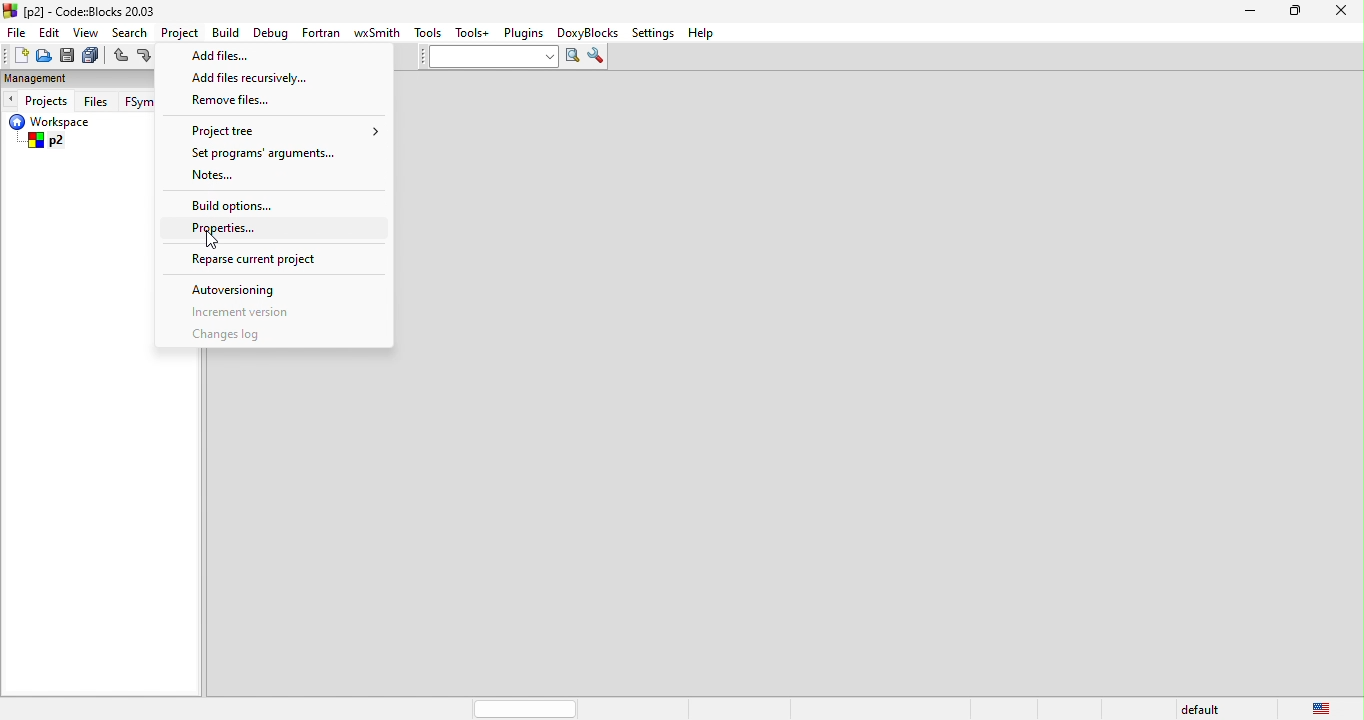  What do you see at coordinates (598, 57) in the screenshot?
I see `show option window` at bounding box center [598, 57].